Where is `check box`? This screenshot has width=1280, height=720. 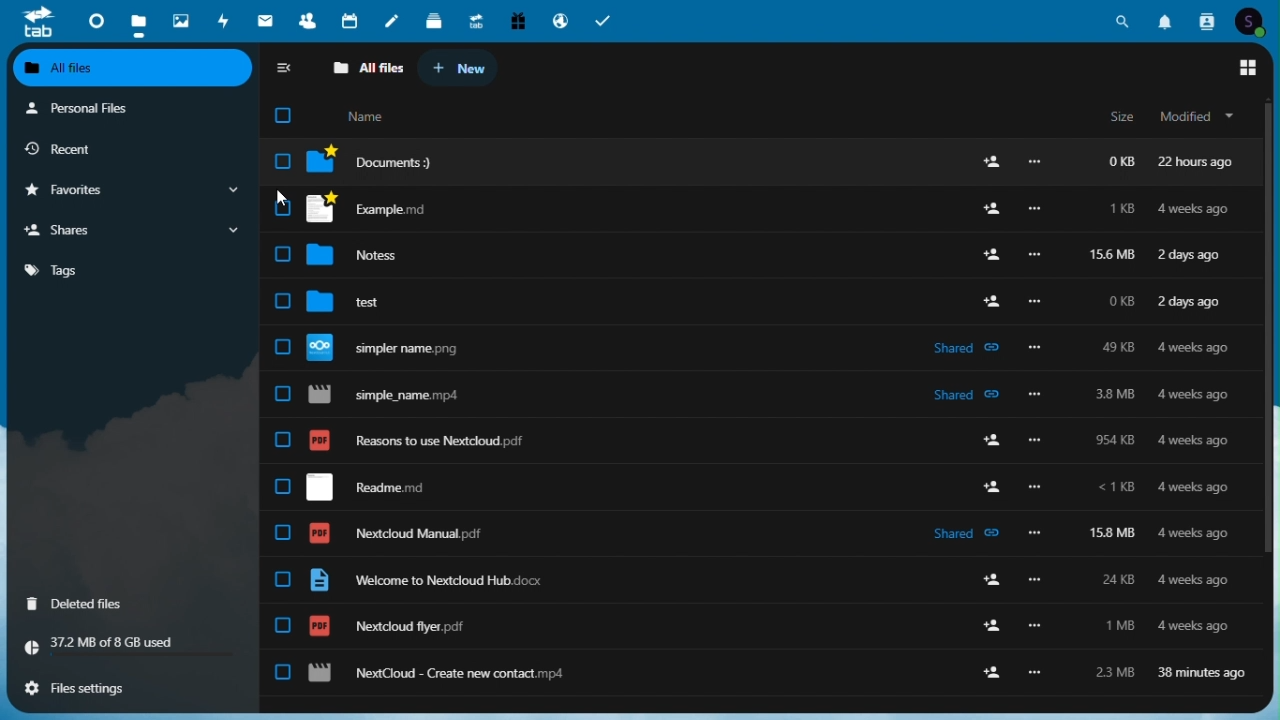
check box is located at coordinates (278, 439).